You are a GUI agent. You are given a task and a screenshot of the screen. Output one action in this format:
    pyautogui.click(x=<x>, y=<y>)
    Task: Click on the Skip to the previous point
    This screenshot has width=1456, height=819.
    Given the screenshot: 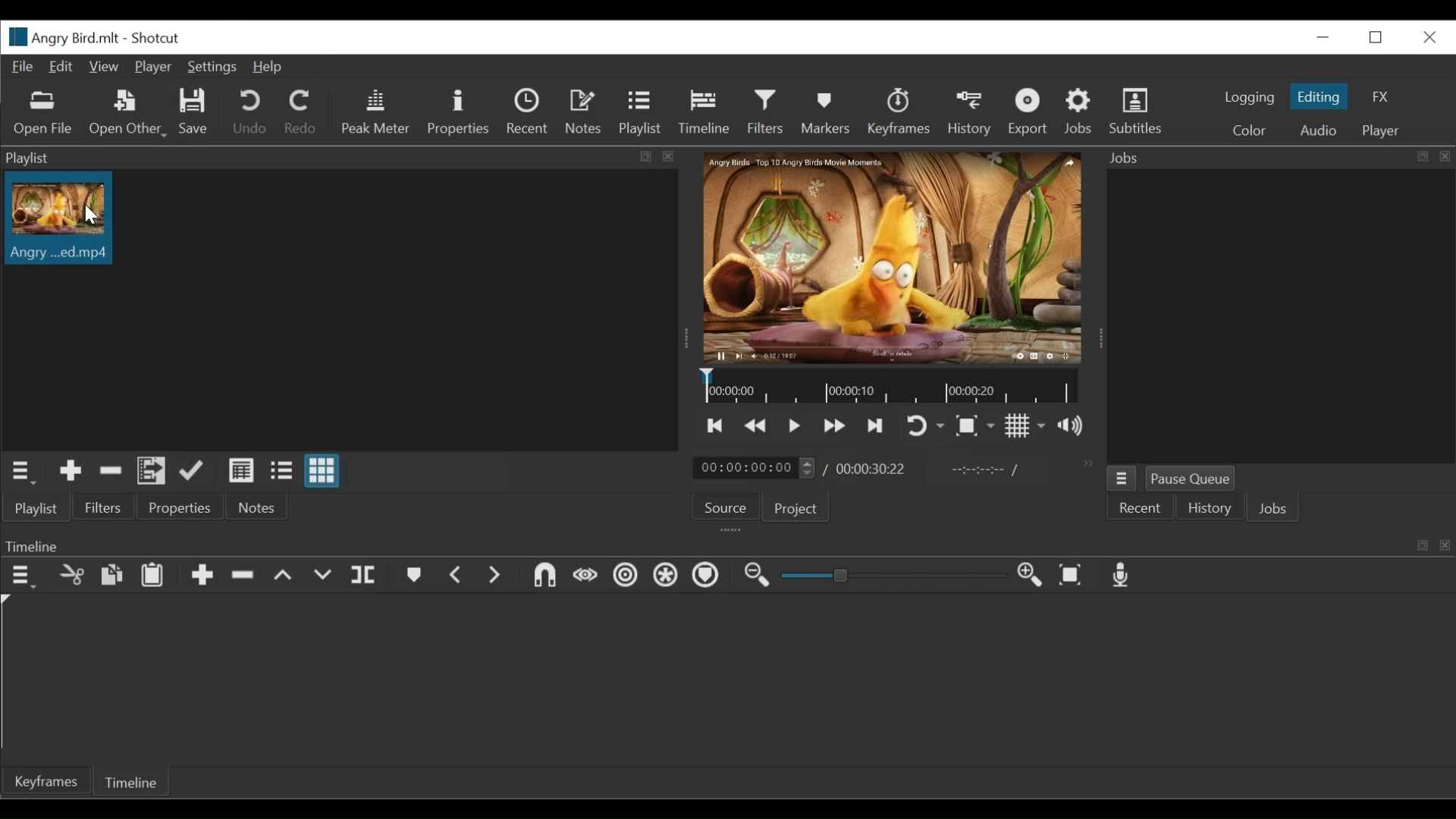 What is the action you would take?
    pyautogui.click(x=717, y=425)
    